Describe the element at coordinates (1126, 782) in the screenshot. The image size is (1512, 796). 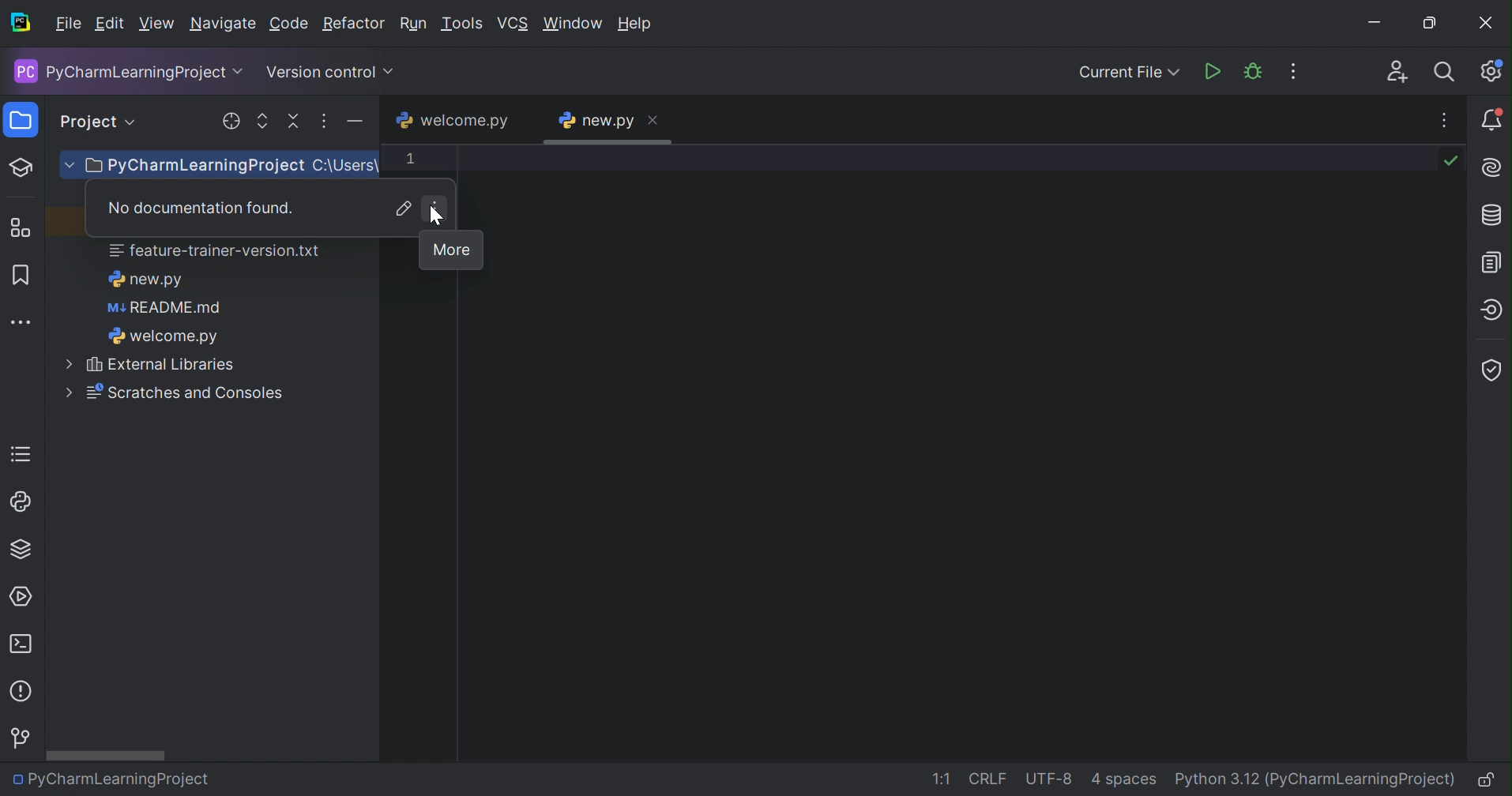
I see `4 spaces` at that location.